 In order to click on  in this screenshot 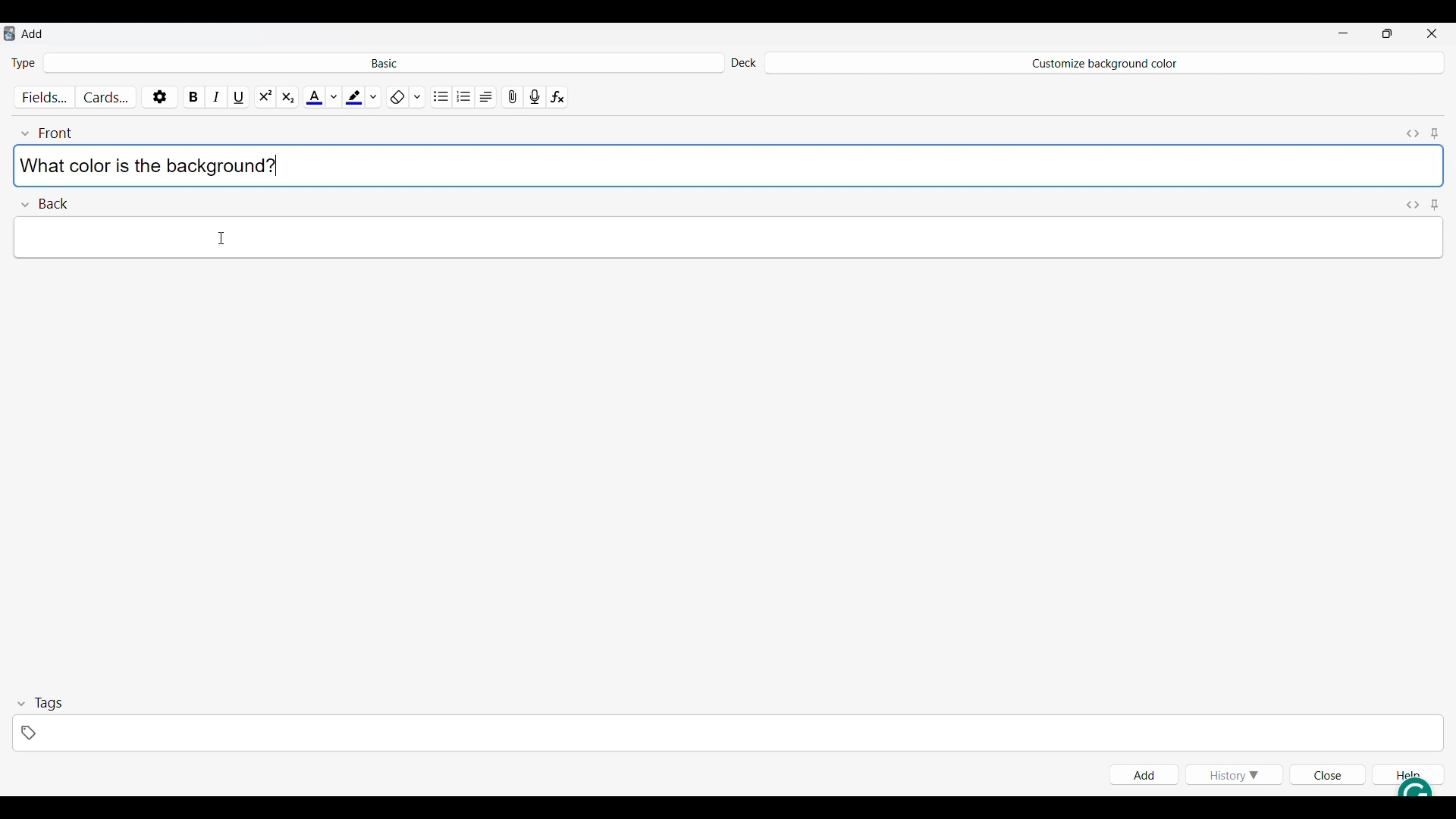, I will do `click(1329, 775)`.